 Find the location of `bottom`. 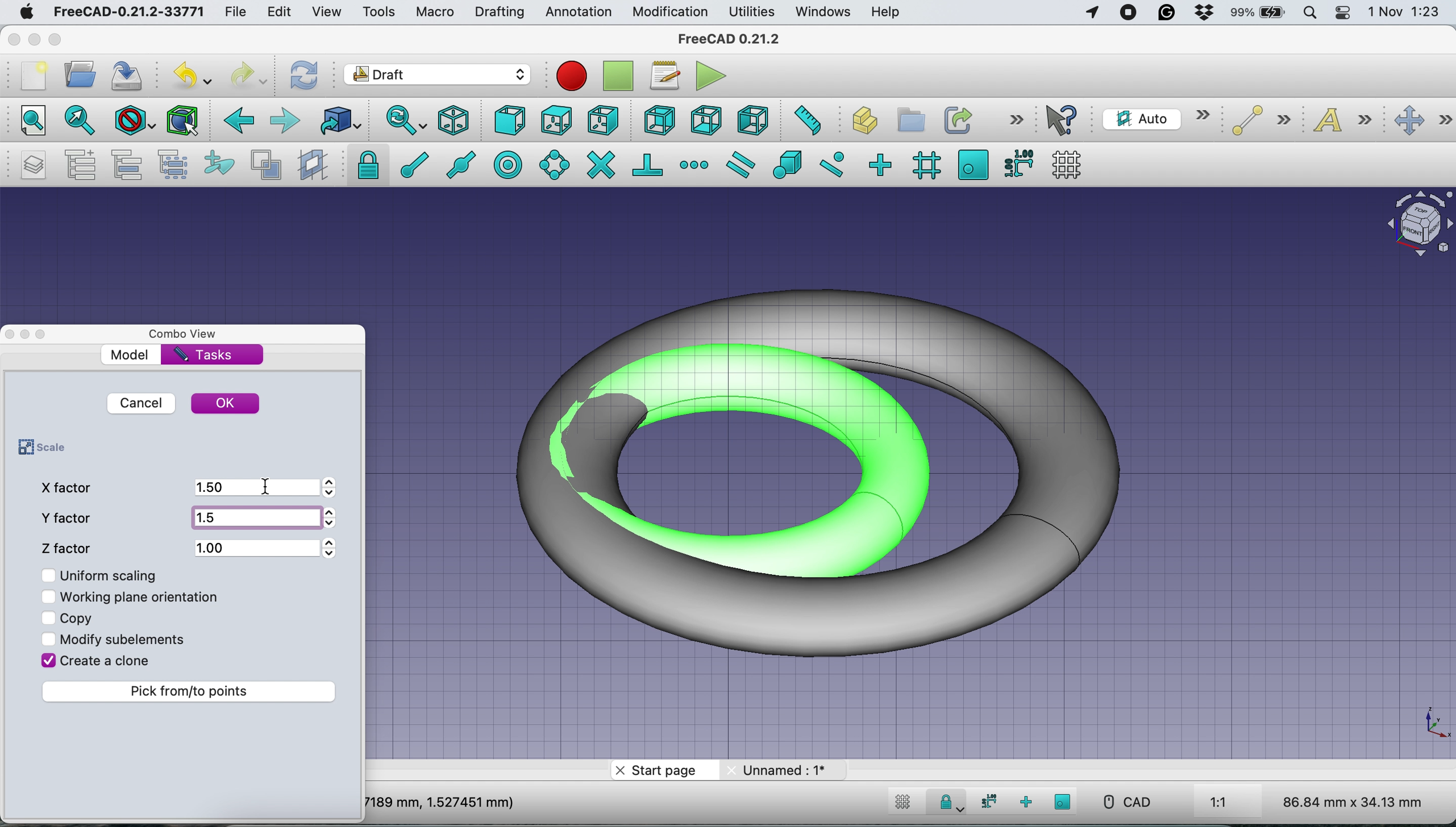

bottom is located at coordinates (708, 119).